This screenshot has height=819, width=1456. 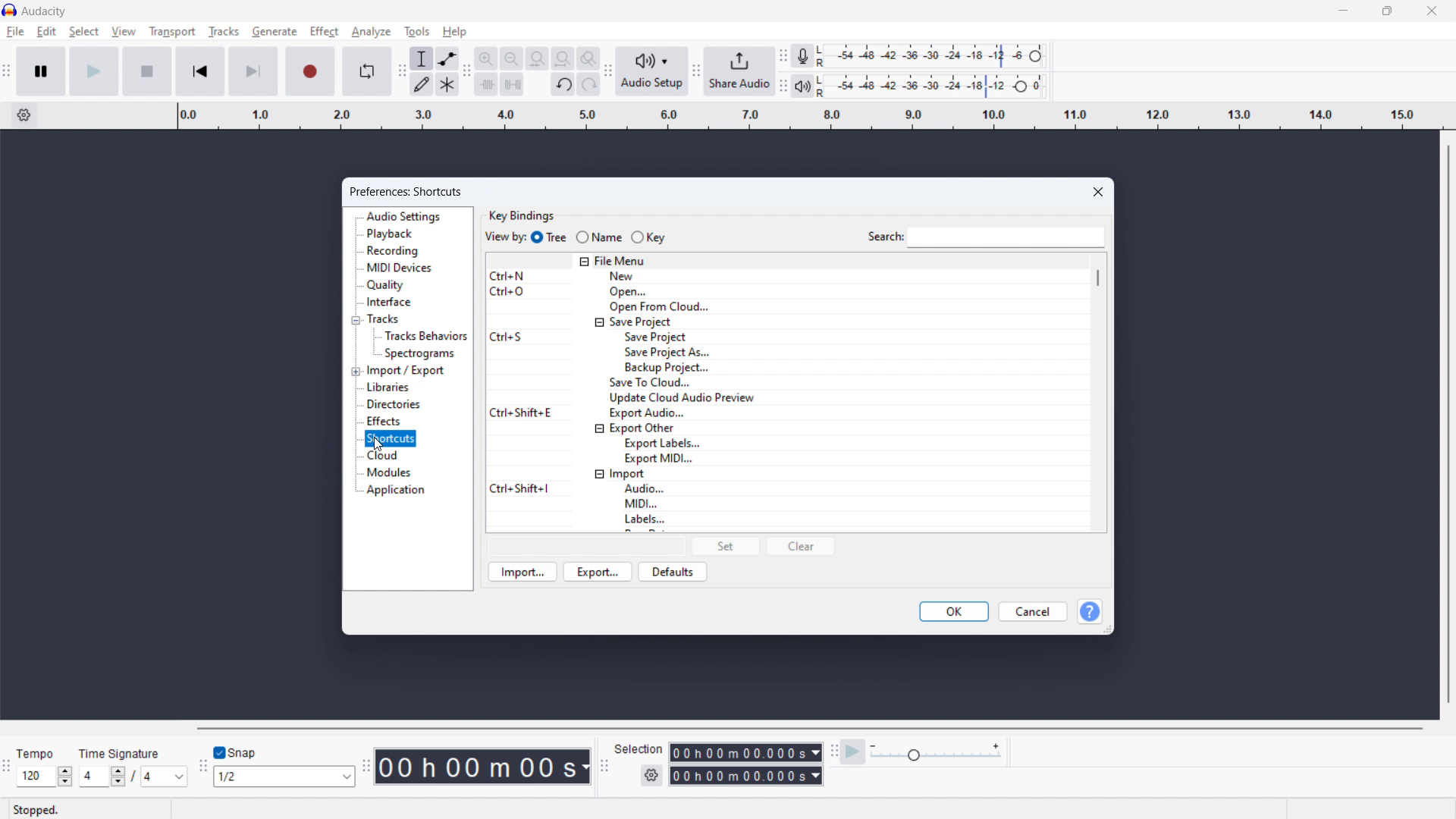 I want to click on collpase, so click(x=356, y=321).